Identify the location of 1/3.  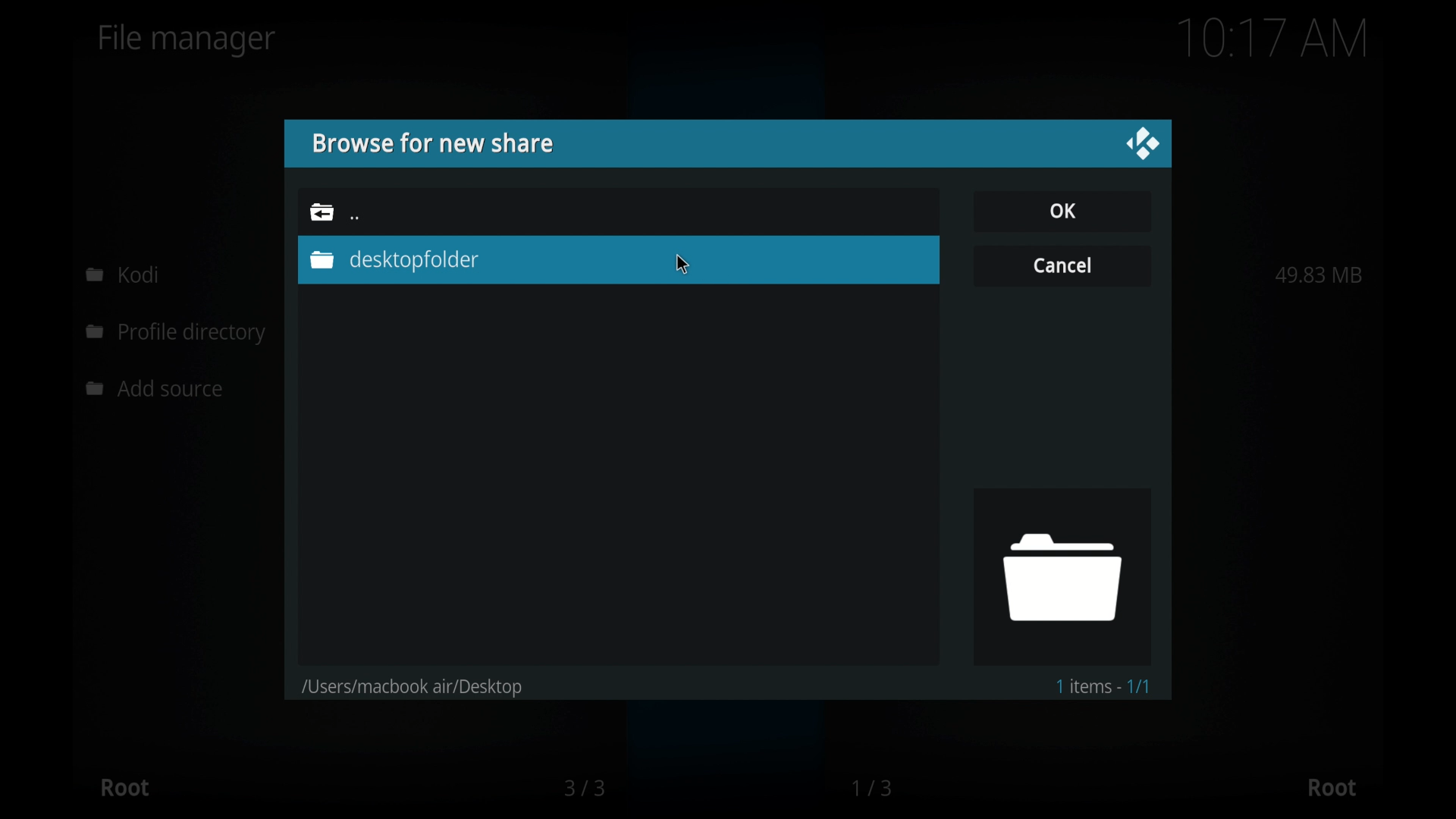
(874, 788).